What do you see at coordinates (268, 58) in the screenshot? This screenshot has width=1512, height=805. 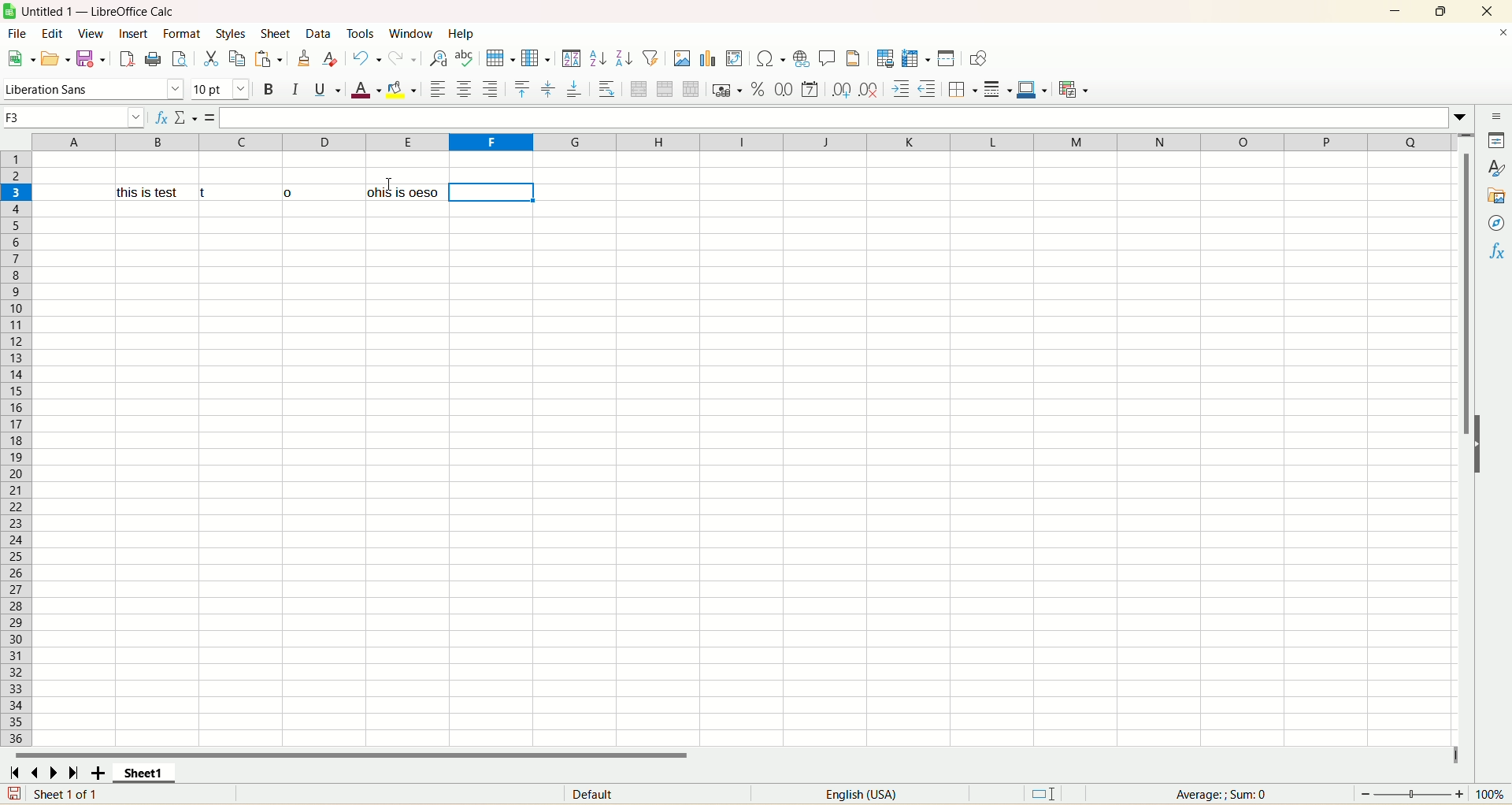 I see `paste` at bounding box center [268, 58].